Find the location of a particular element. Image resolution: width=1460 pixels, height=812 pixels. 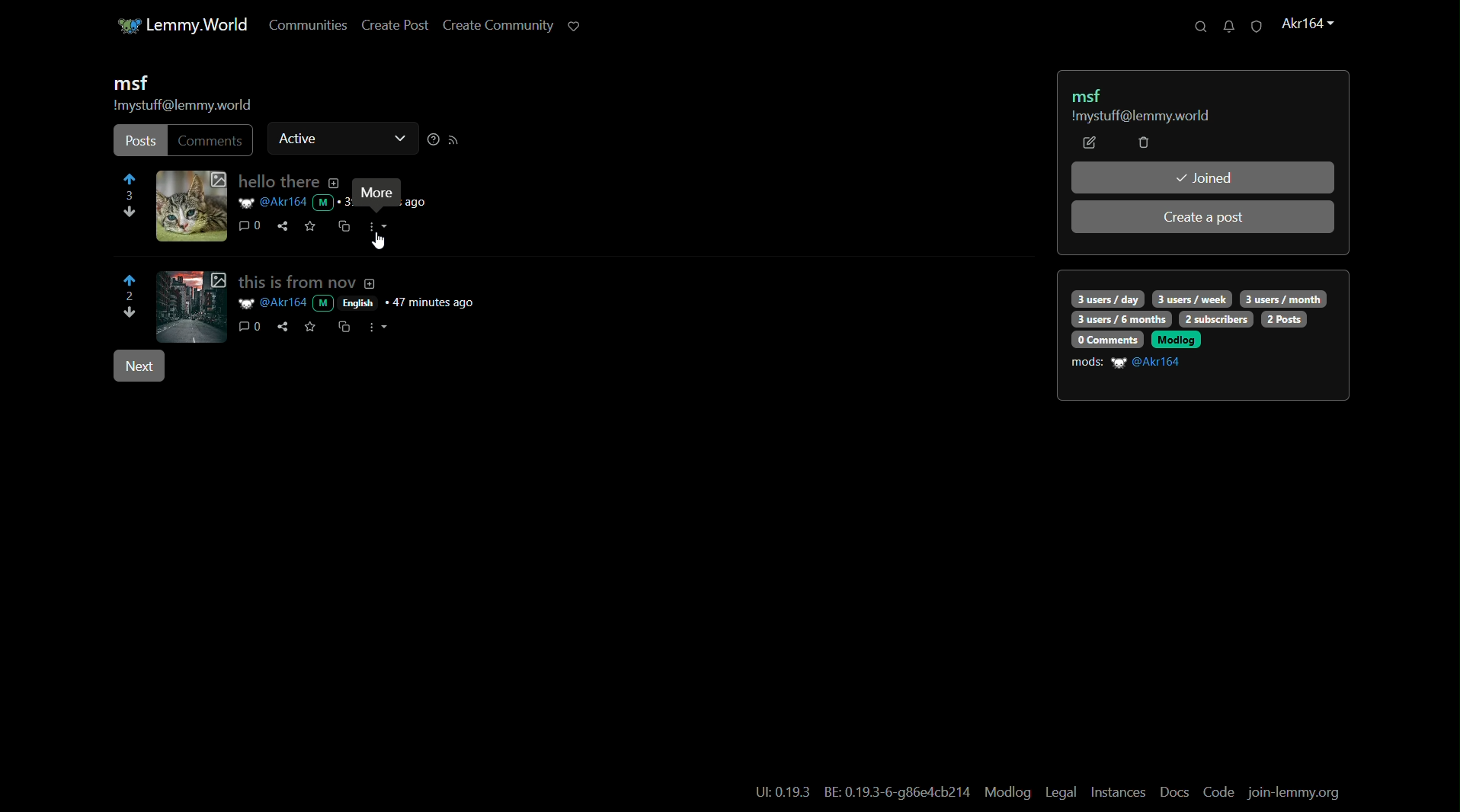

more is located at coordinates (379, 226).